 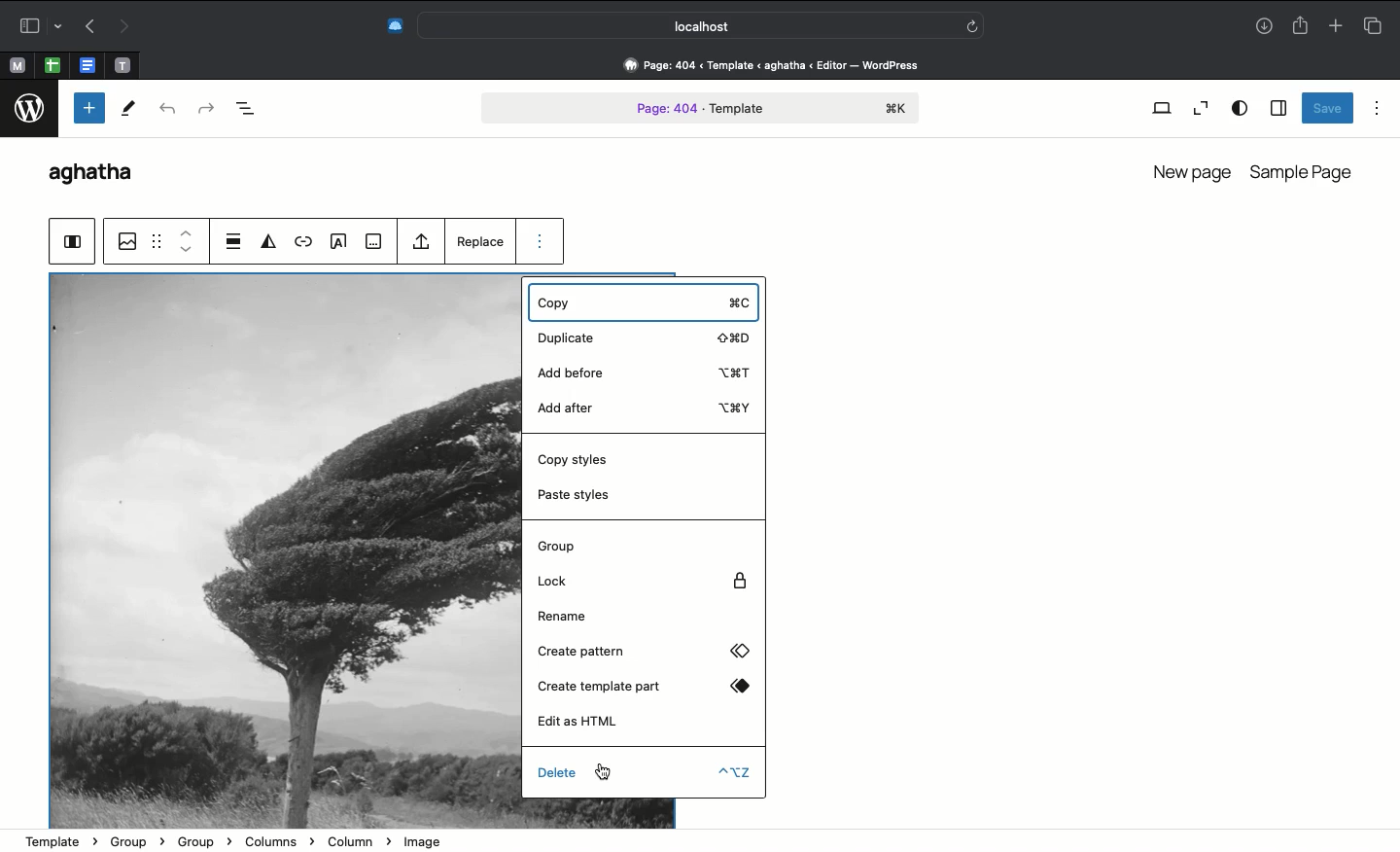 I want to click on open tab, so click(x=17, y=66).